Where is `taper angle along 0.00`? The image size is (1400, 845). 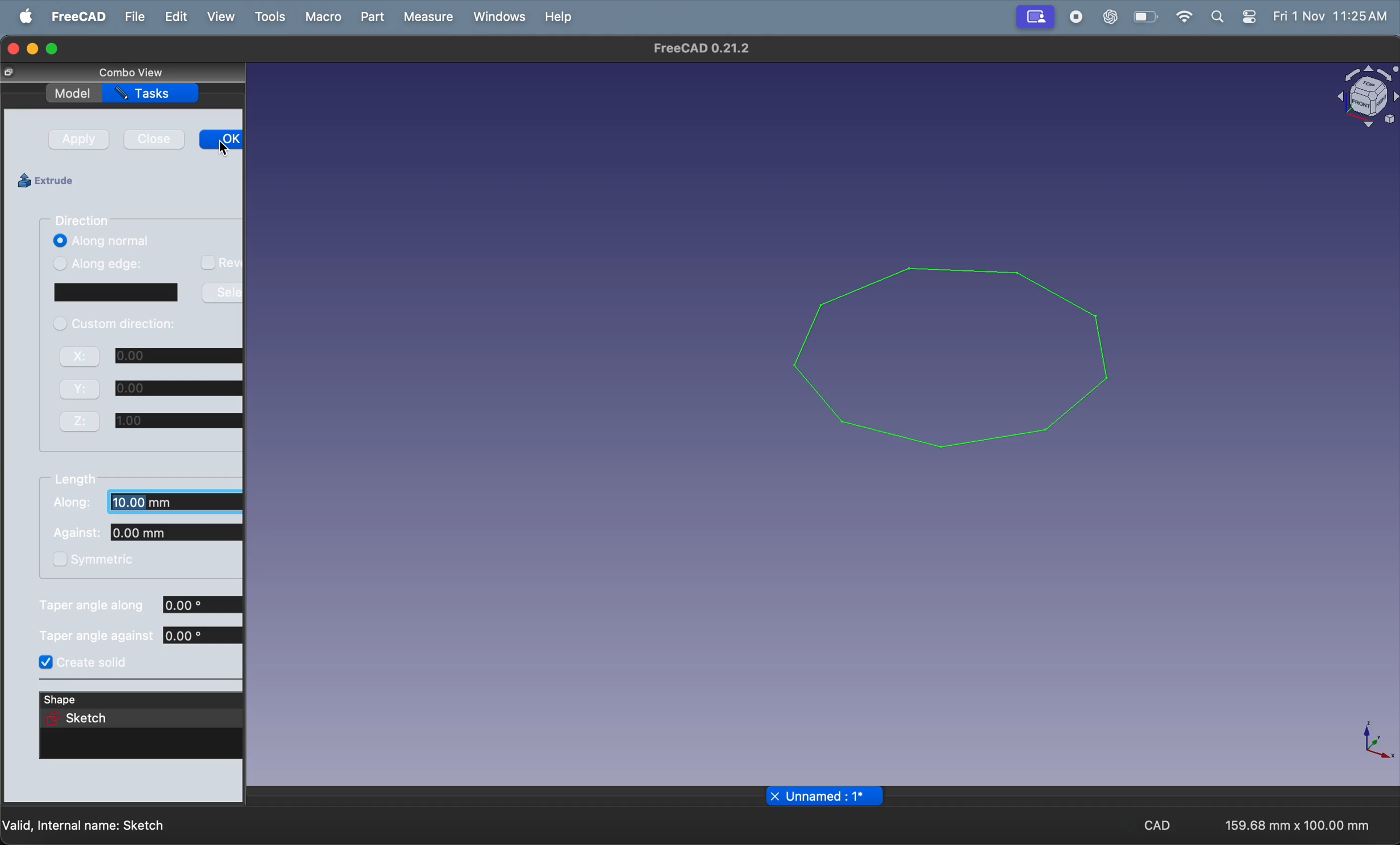 taper angle along 0.00 is located at coordinates (137, 605).